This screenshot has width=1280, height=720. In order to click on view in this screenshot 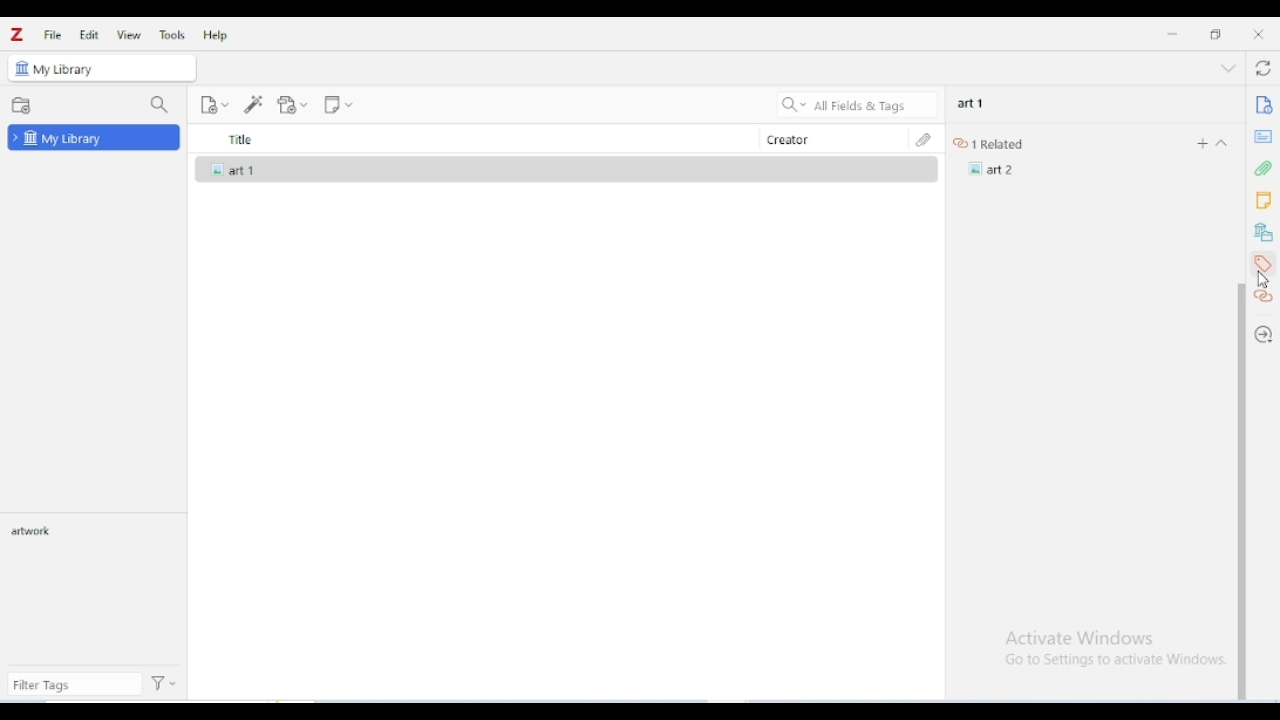, I will do `click(129, 34)`.